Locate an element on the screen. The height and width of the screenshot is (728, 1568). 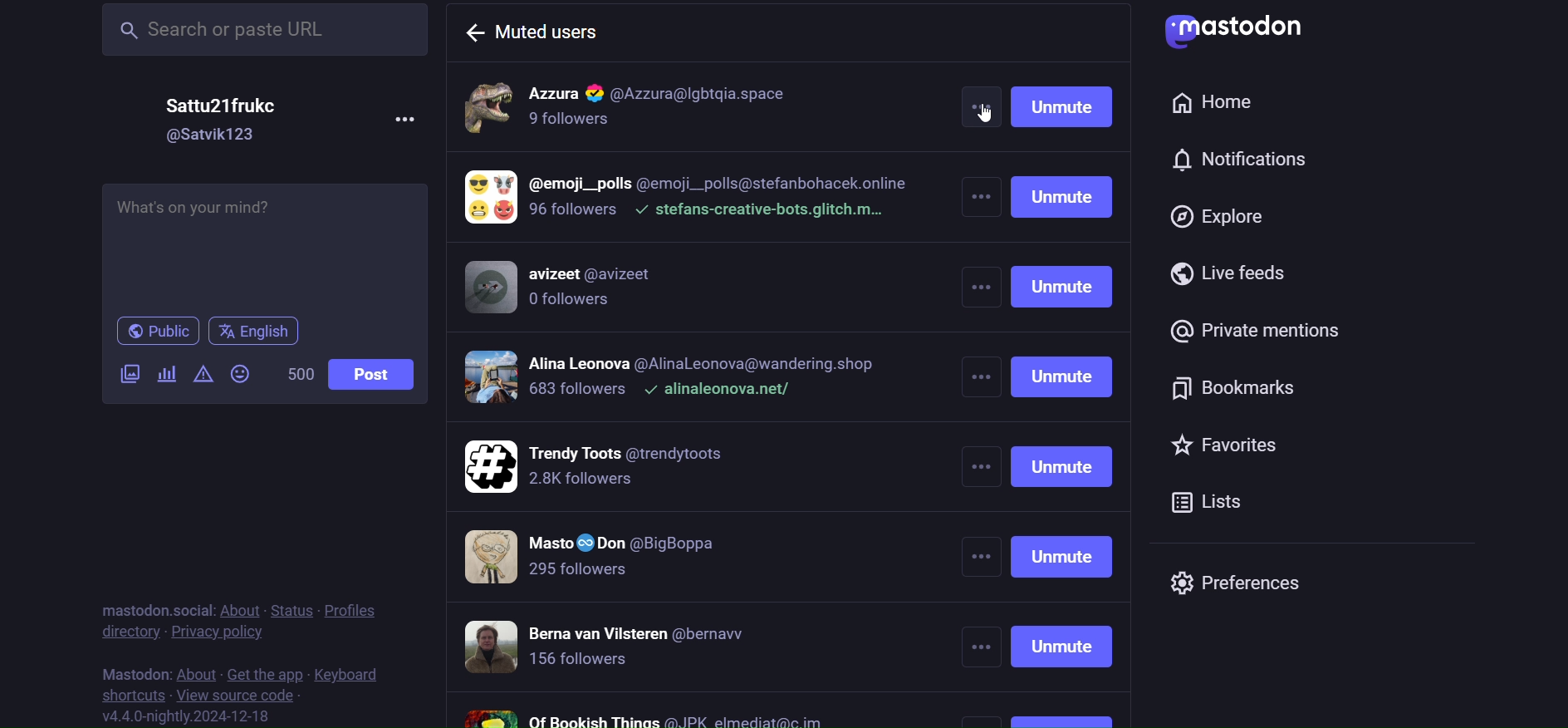
live feed is located at coordinates (1238, 273).